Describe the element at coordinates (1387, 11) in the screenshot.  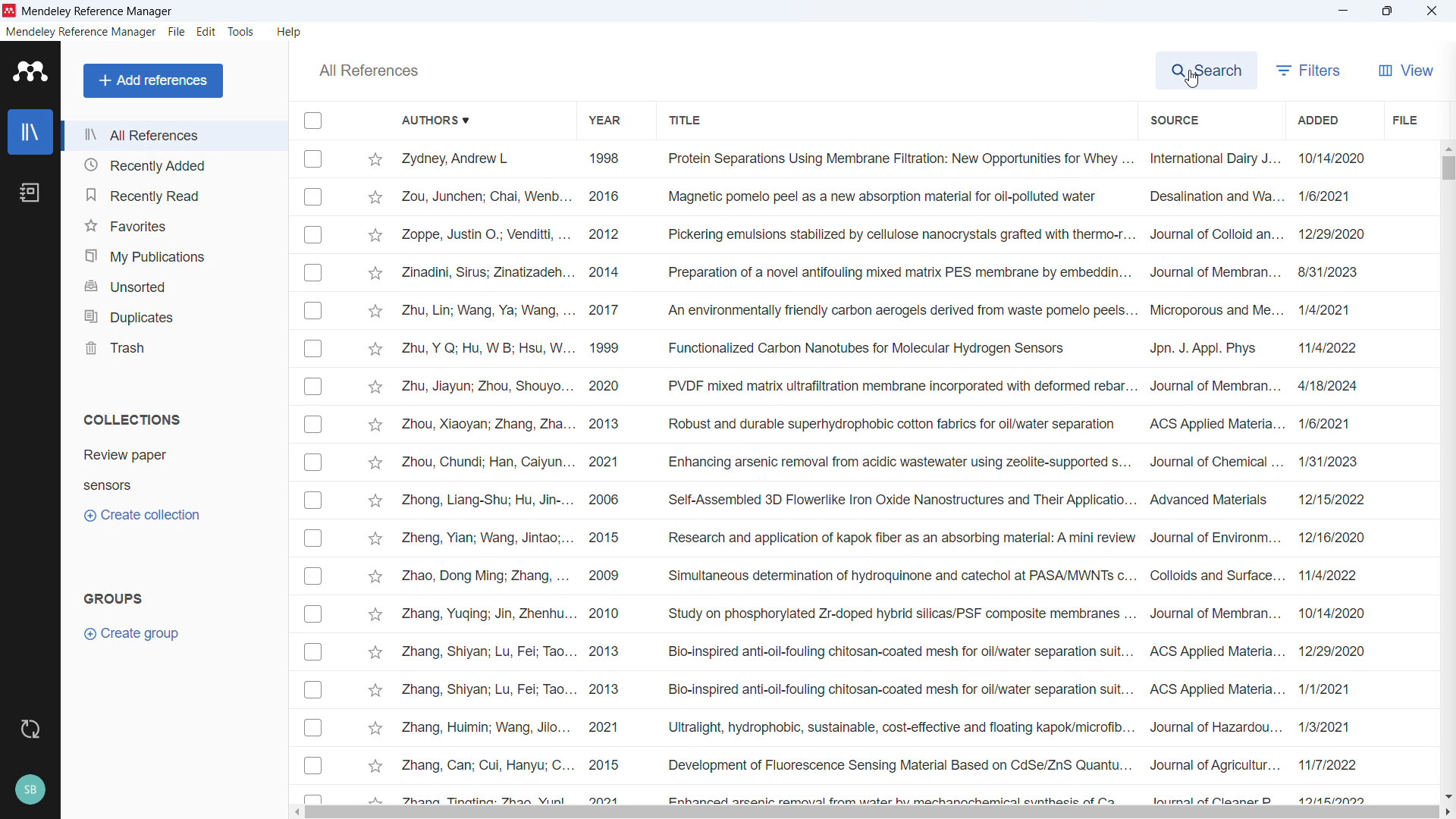
I see `Maximize ` at that location.